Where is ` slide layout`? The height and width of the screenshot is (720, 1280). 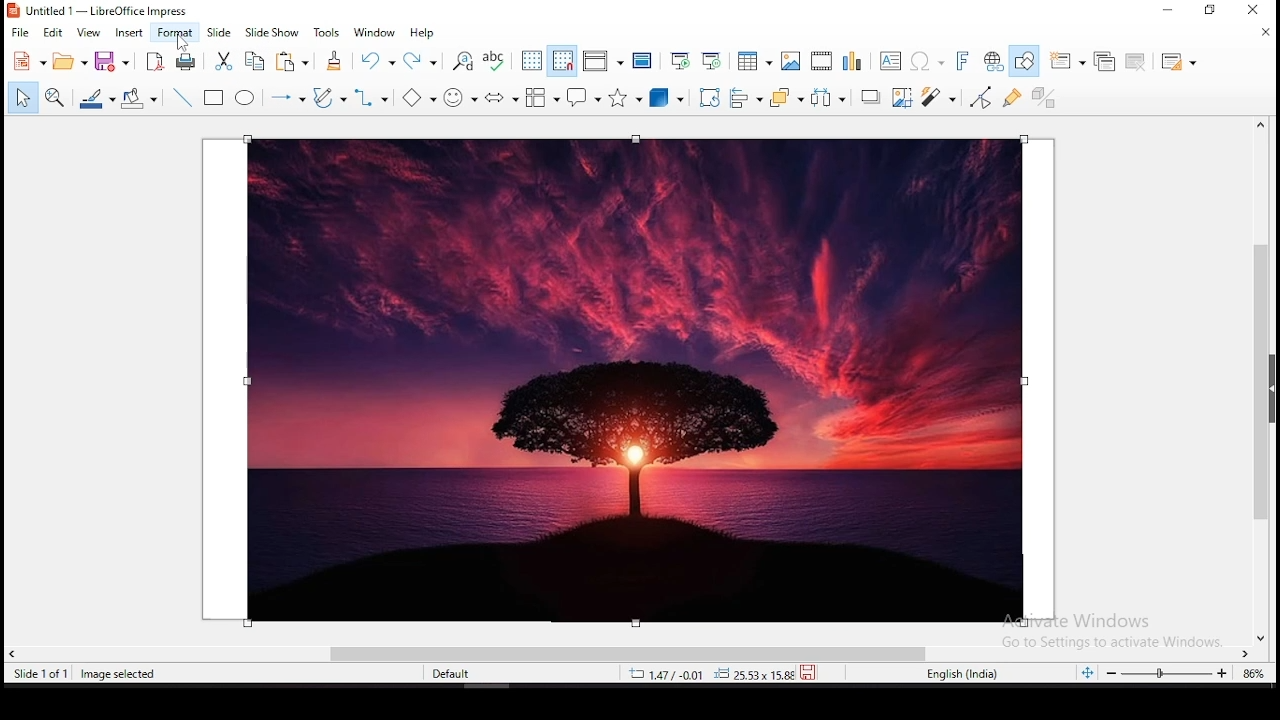  slide layout is located at coordinates (1178, 62).